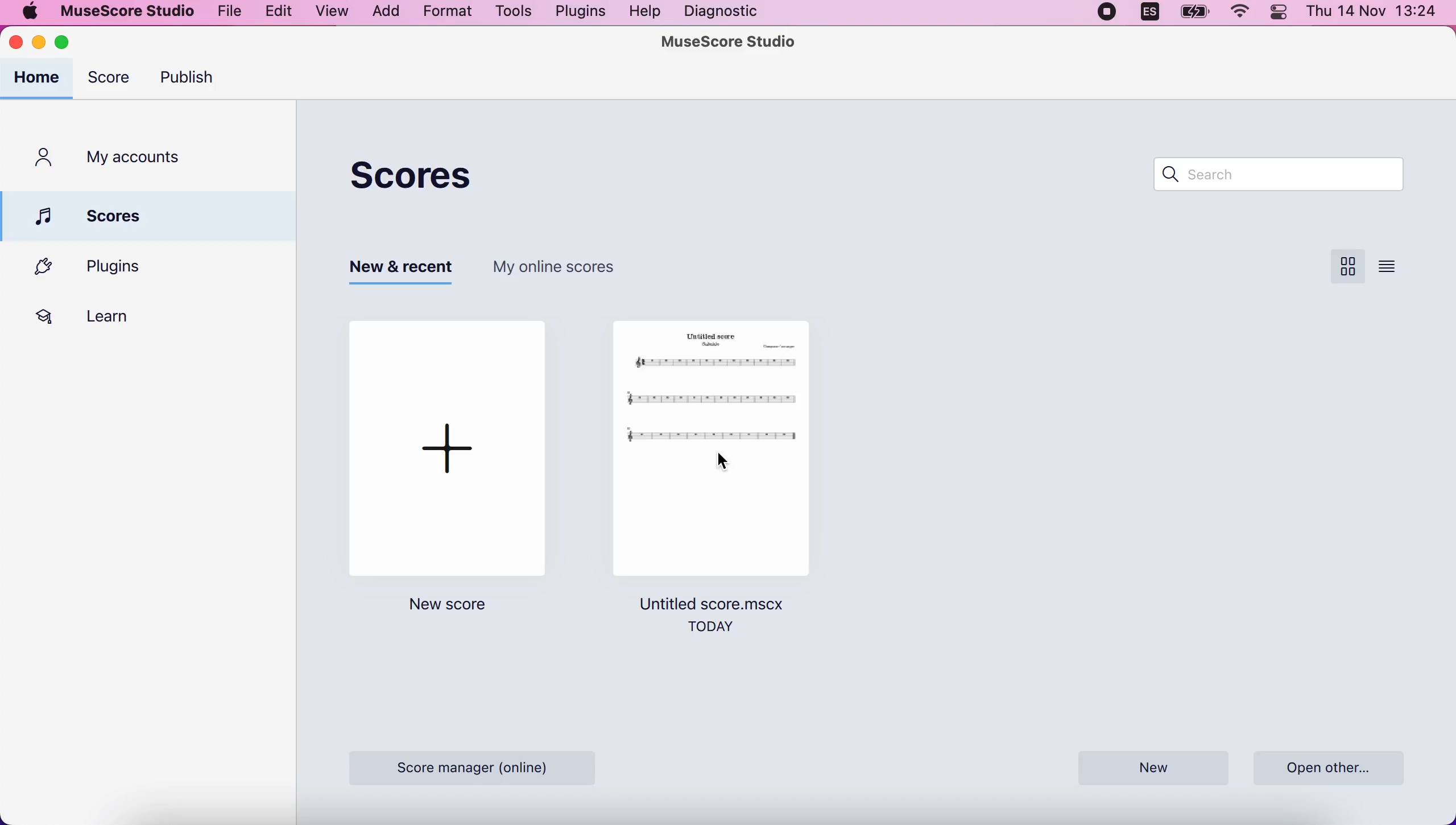  What do you see at coordinates (1342, 270) in the screenshot?
I see `scores ` at bounding box center [1342, 270].